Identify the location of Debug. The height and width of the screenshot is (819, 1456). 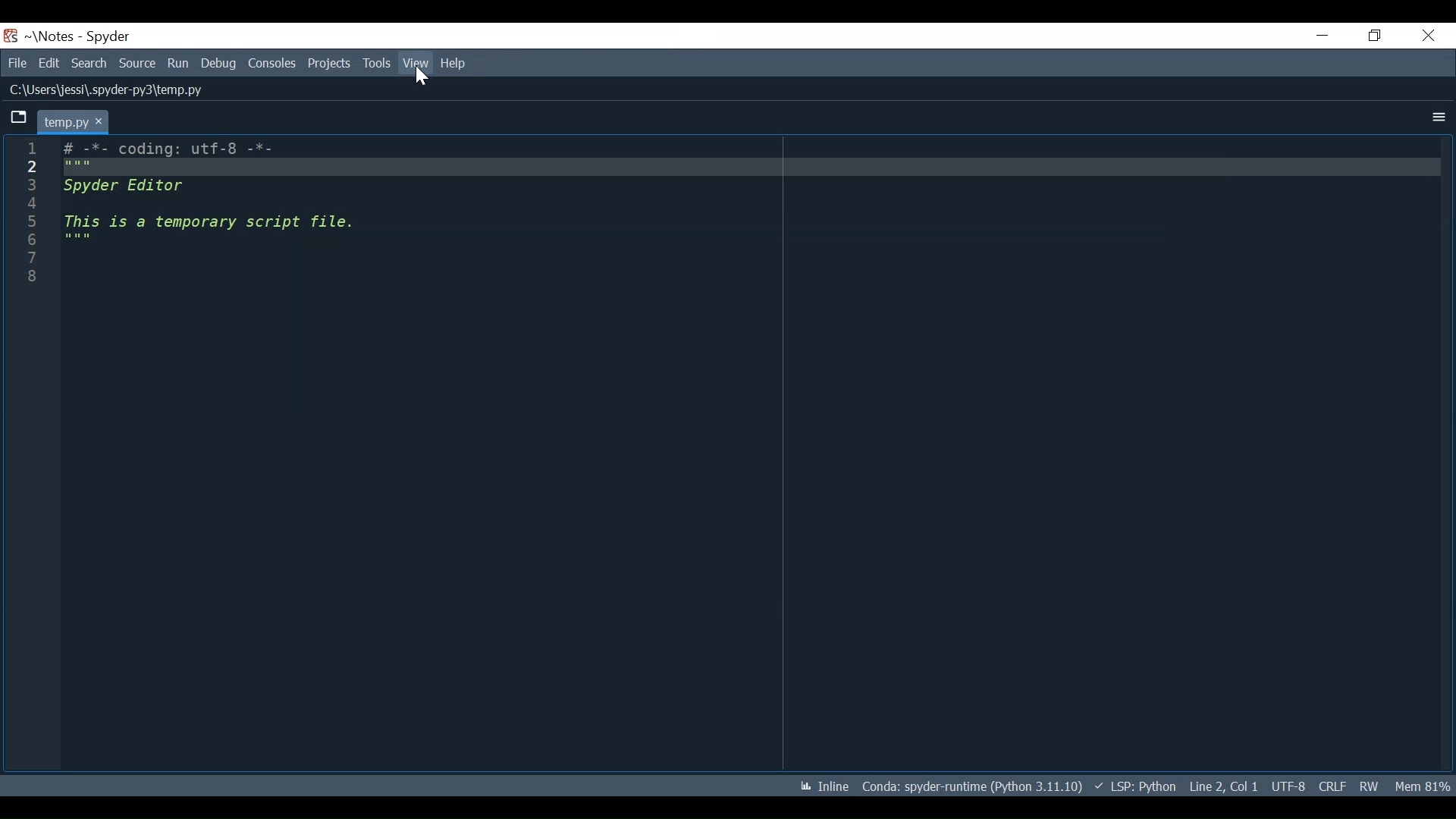
(218, 63).